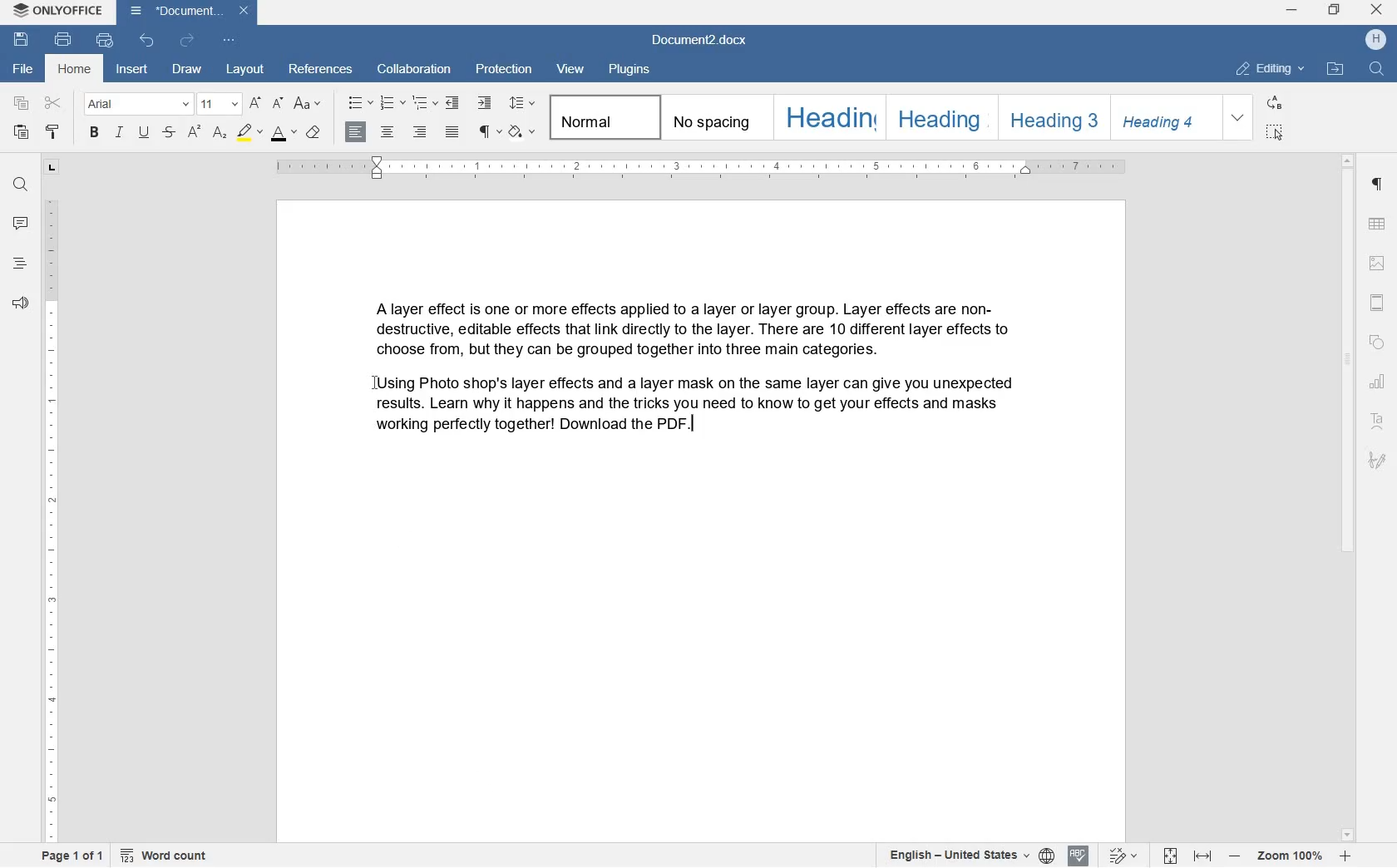 The width and height of the screenshot is (1397, 868). Describe the element at coordinates (938, 118) in the screenshot. I see `HEADING ` at that location.